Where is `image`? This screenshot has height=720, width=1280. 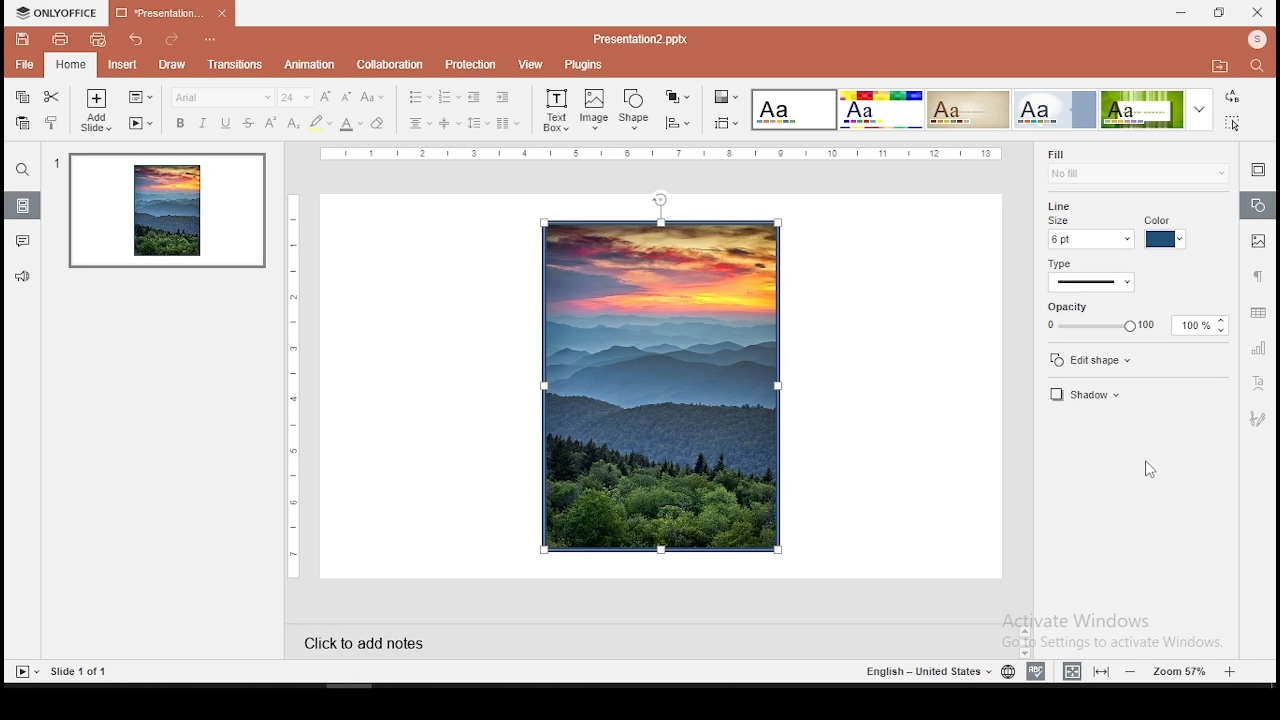
image is located at coordinates (594, 109).